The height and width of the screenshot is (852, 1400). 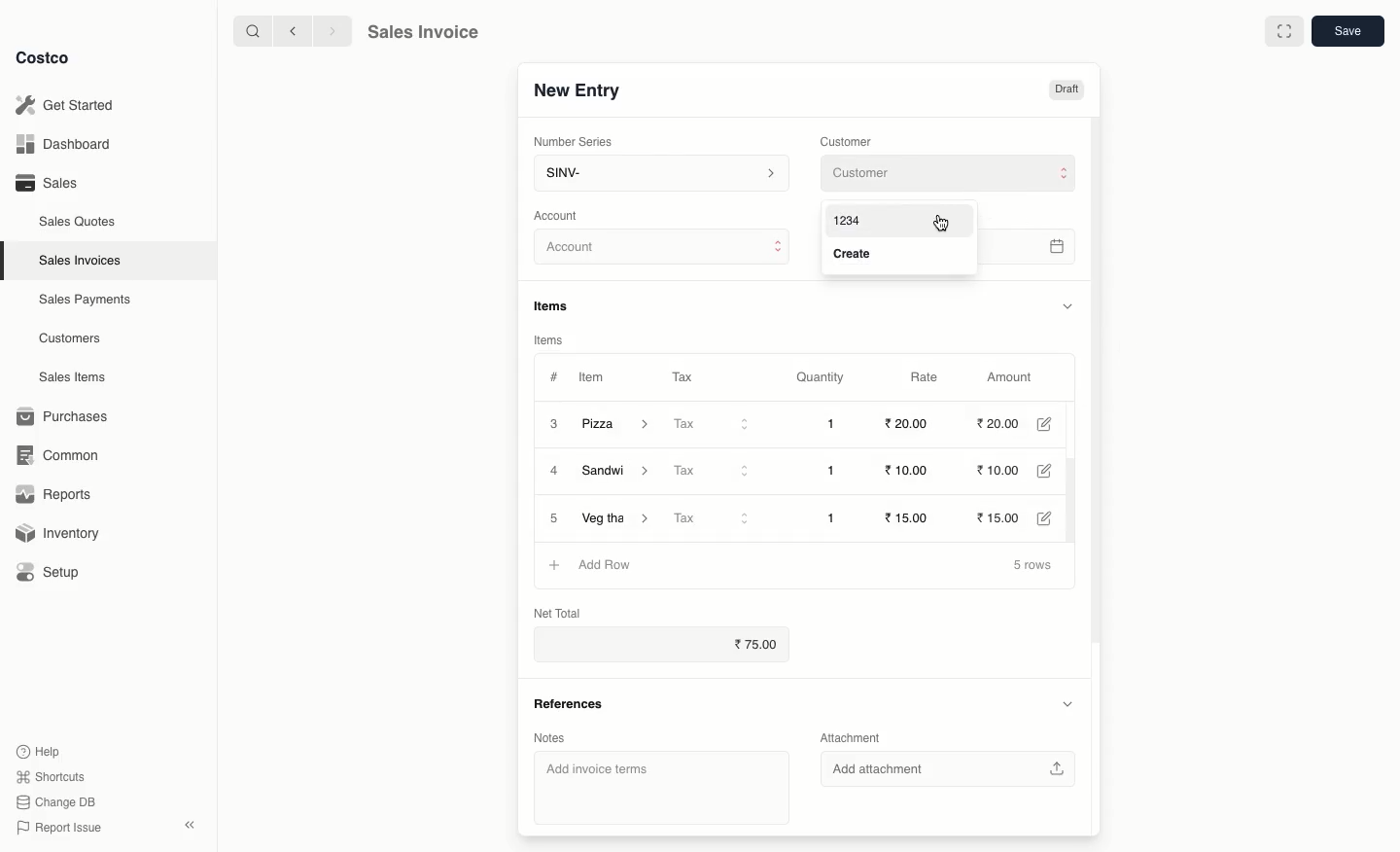 I want to click on Items, so click(x=558, y=305).